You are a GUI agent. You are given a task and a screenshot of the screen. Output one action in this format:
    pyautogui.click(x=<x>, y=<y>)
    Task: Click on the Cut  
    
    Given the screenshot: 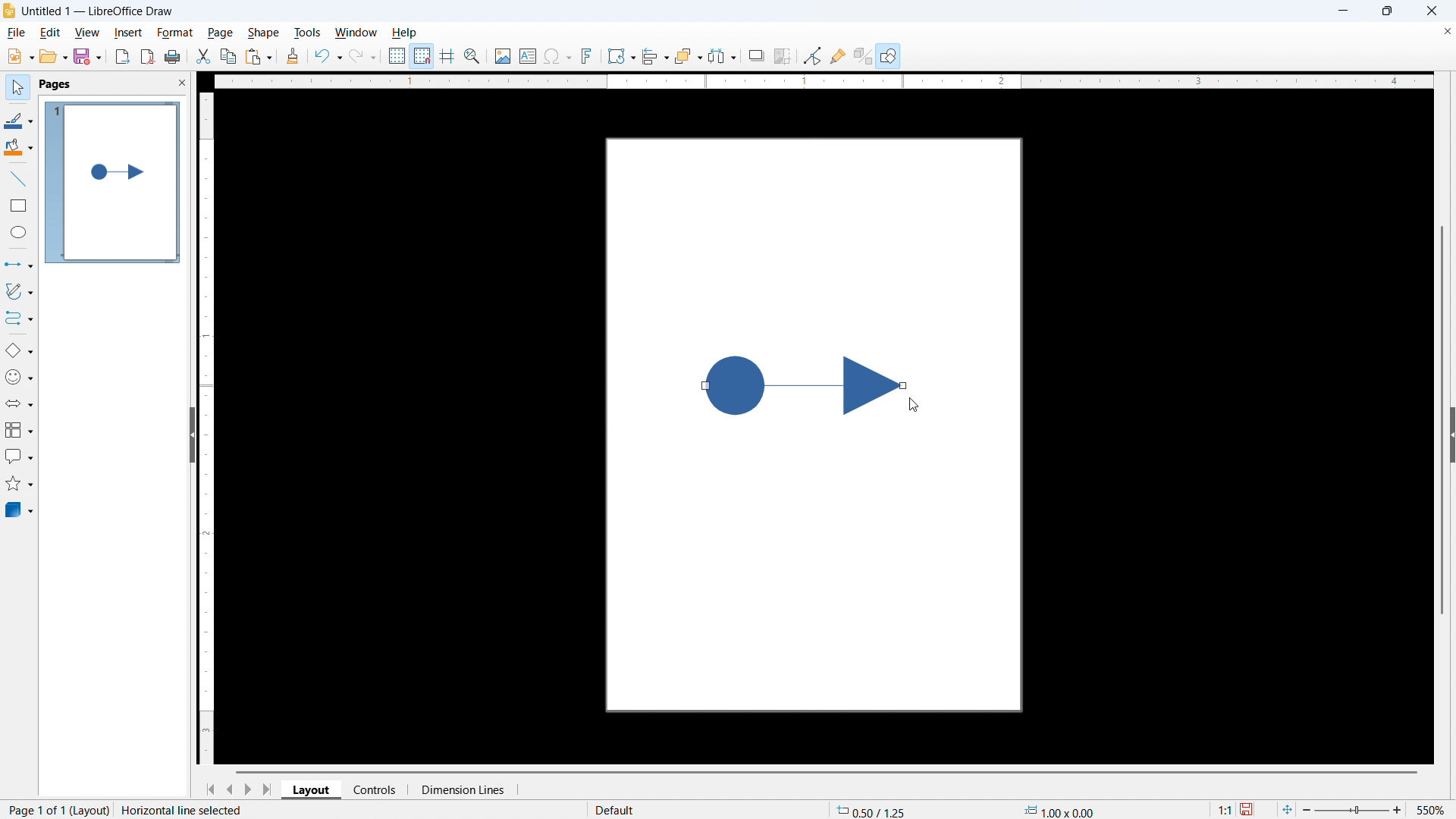 What is the action you would take?
    pyautogui.click(x=204, y=57)
    